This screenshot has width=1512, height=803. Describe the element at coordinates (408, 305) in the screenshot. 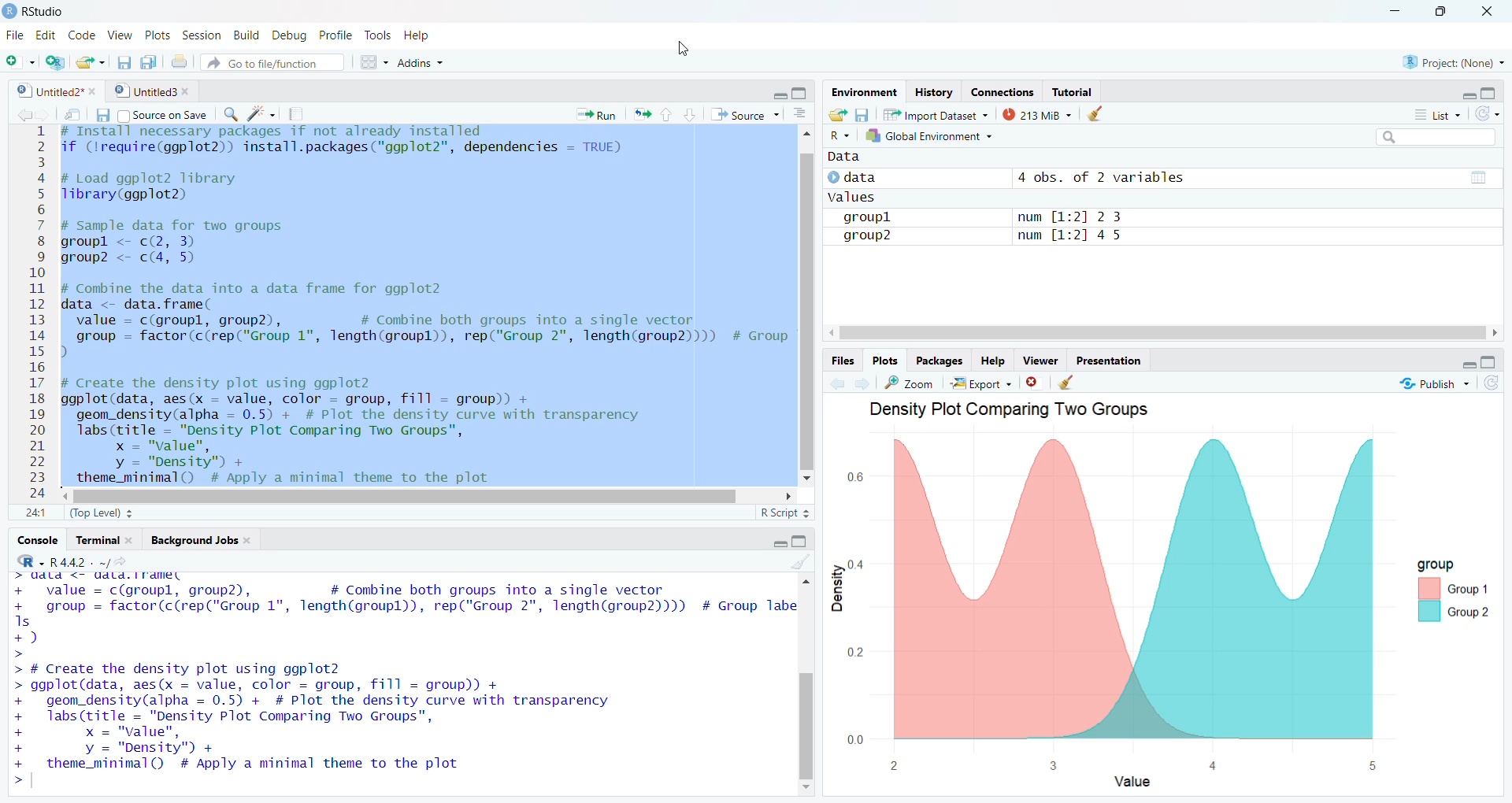

I see `f (lrequire(ggplot2)) install.packages ("ggplot2", dependencies = TRUE)
Load ggplot2 library
ibrary(ggplot2) 1
Sample data for two groups
roupl <- c(2, 3)
roup2 <- c(4, 5)
Combine the data into a data frame for ggplot2
ata <- data. frame(
value = c(groupl, group2), # Combine both groups into a single vector
group = factor (c(rep("Group 1", Tength(groupl)), rep("Group 2", Tength(group2)))) # Group
Create the density plot using ggplot2
gplot (data, aes(x = value, color = group, fill = group)) +
geom_density(alpha = 0.5) + # Plot the density curve with transparency
labs (title = "Density Plot Comparing Two Groups",
x = "value",
y = "Density") +
theme_minimal() # Apply a minimal theme to the plot` at that location.